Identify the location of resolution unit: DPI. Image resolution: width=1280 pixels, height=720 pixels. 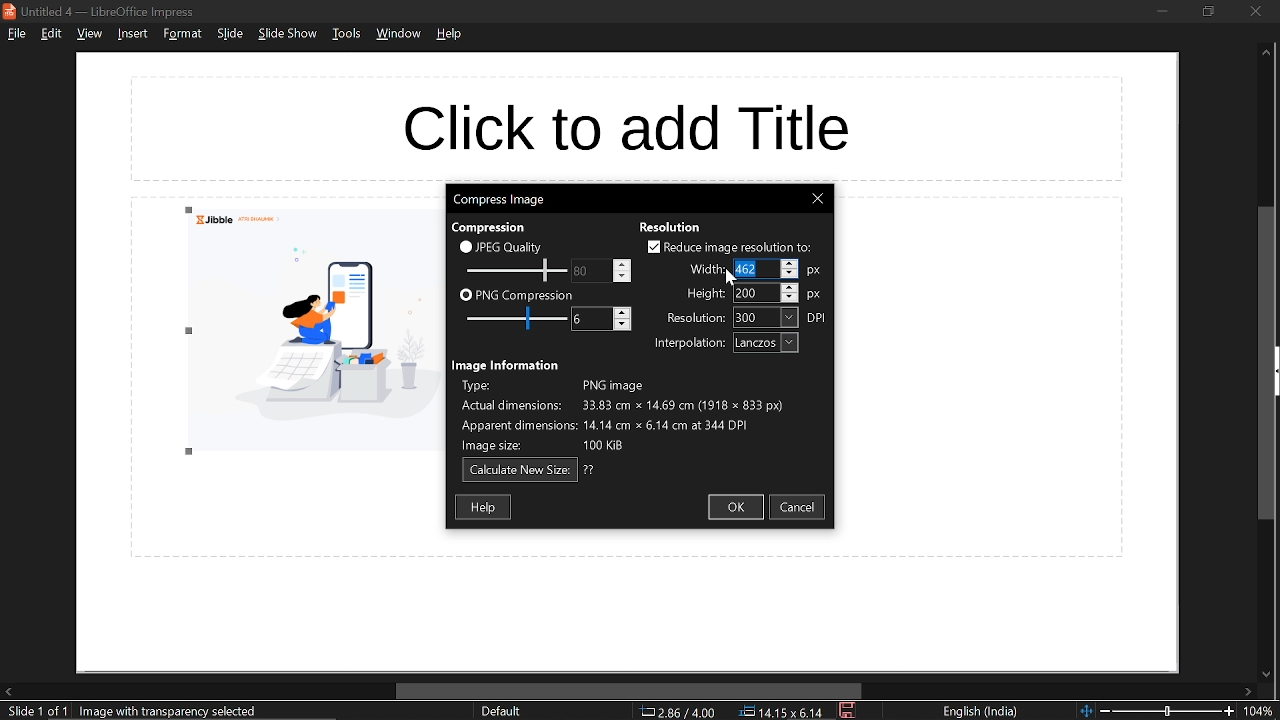
(818, 318).